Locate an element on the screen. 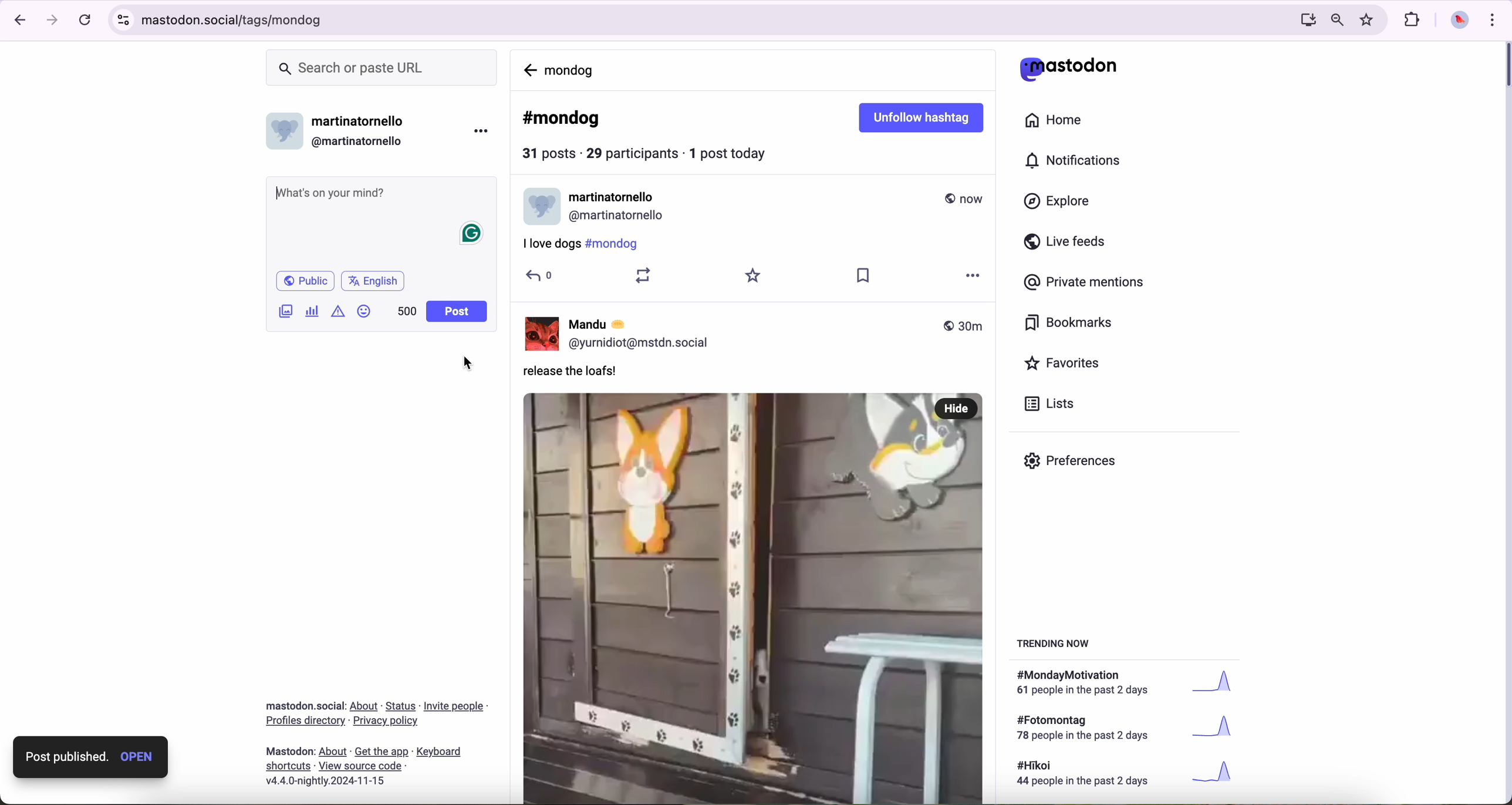  navigate back is located at coordinates (529, 68).